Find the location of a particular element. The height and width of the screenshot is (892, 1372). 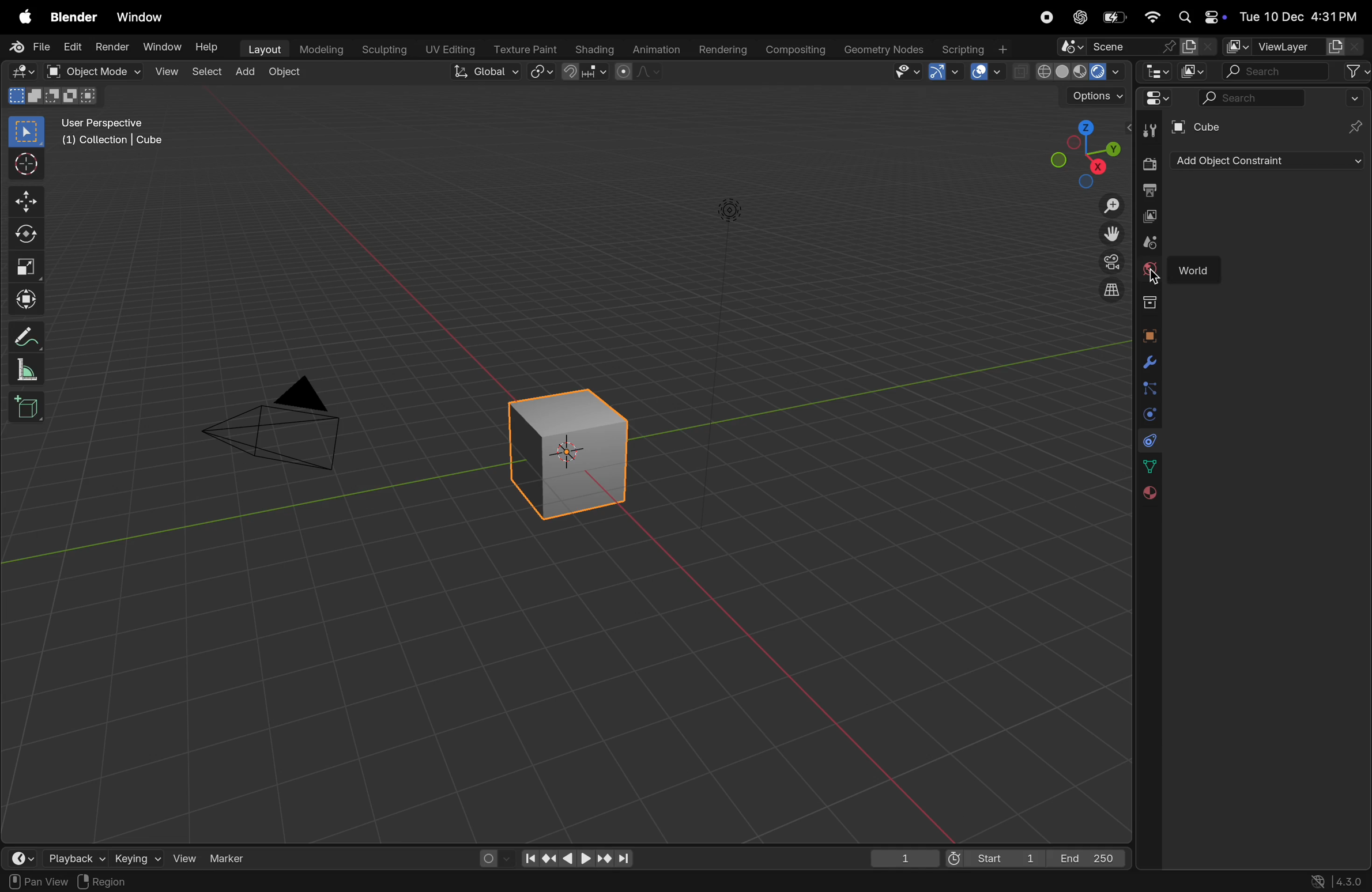

texture paint is located at coordinates (522, 48).